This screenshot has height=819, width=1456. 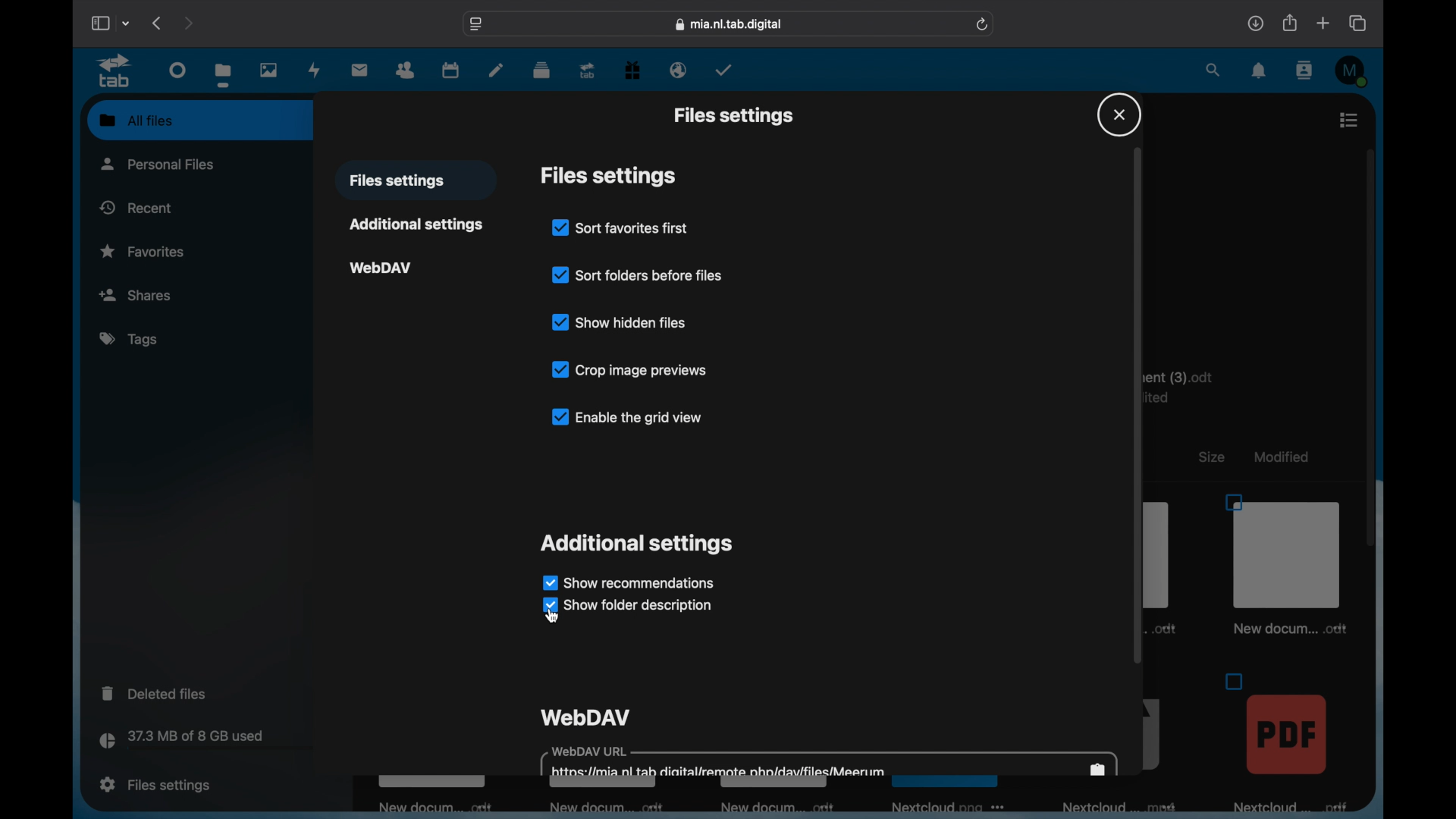 I want to click on tab, so click(x=114, y=71).